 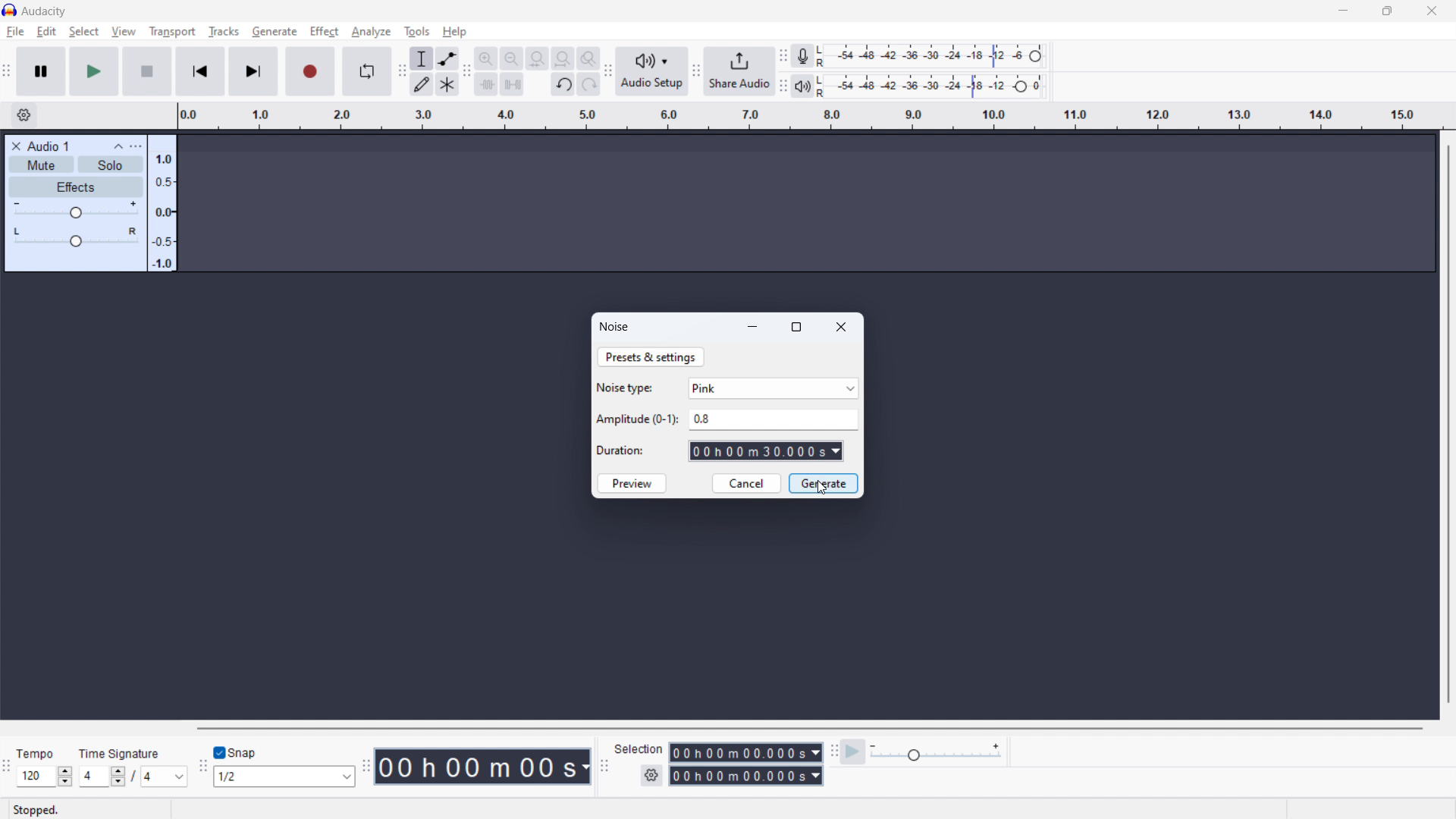 I want to click on play at speed toolbar, so click(x=833, y=752).